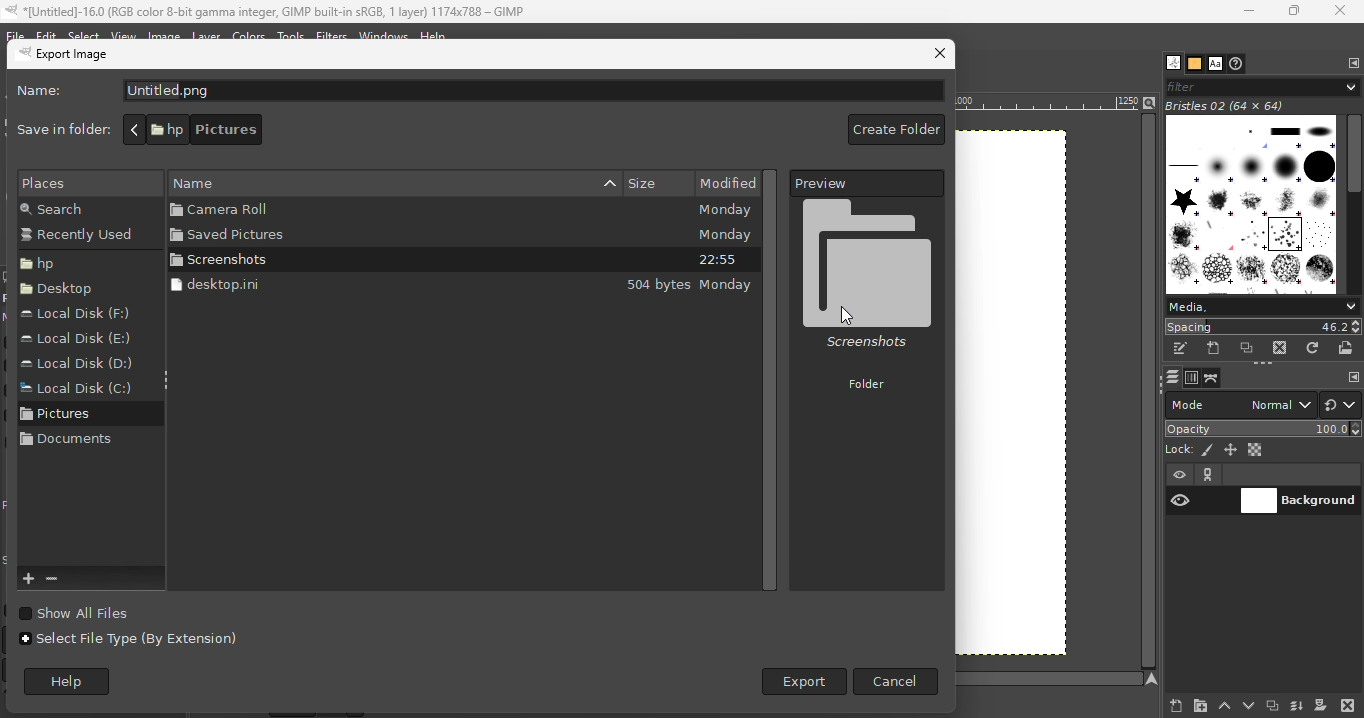  What do you see at coordinates (1341, 11) in the screenshot?
I see `Close` at bounding box center [1341, 11].